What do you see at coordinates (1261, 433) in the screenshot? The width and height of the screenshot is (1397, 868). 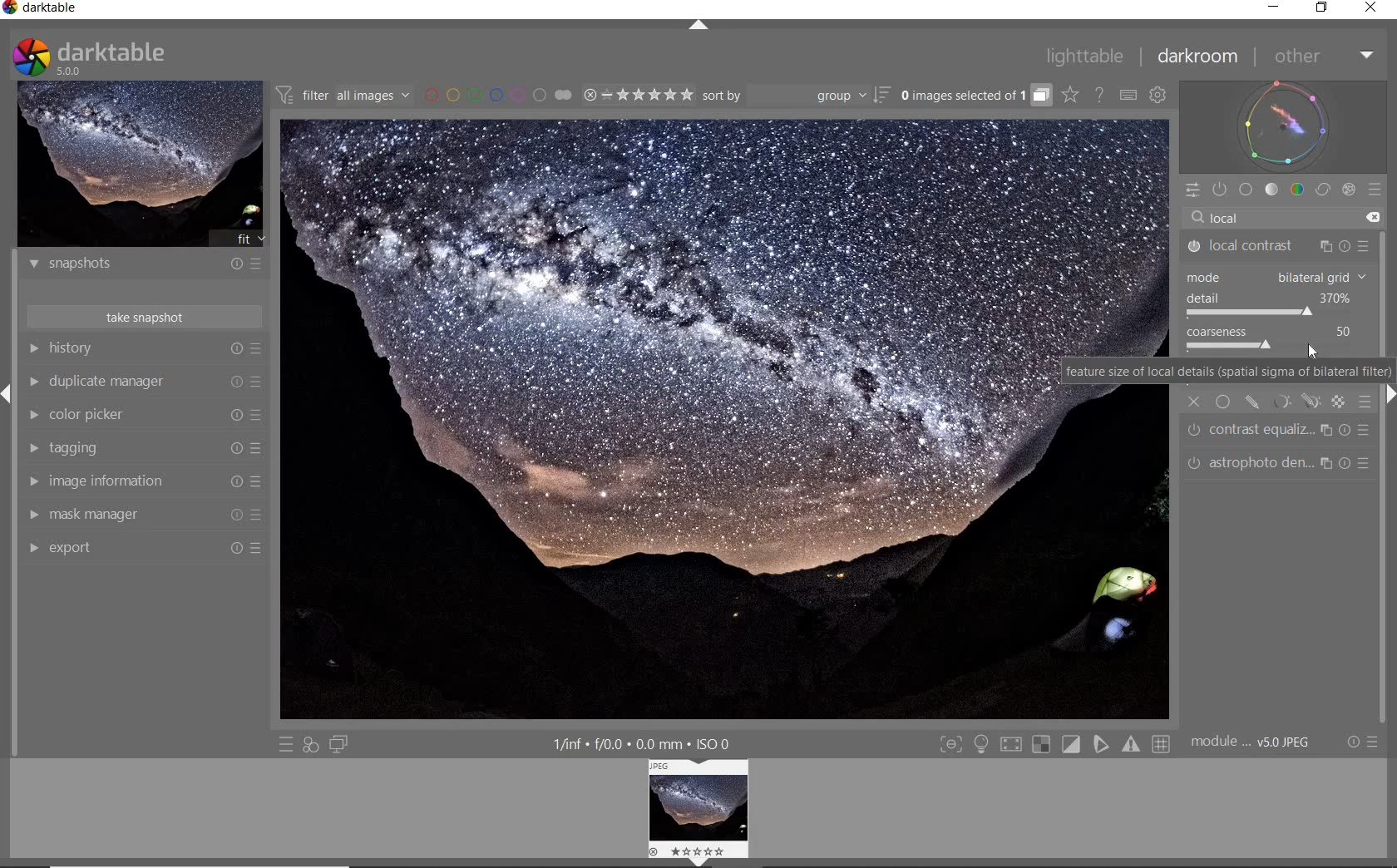 I see `contrast equalizer` at bounding box center [1261, 433].